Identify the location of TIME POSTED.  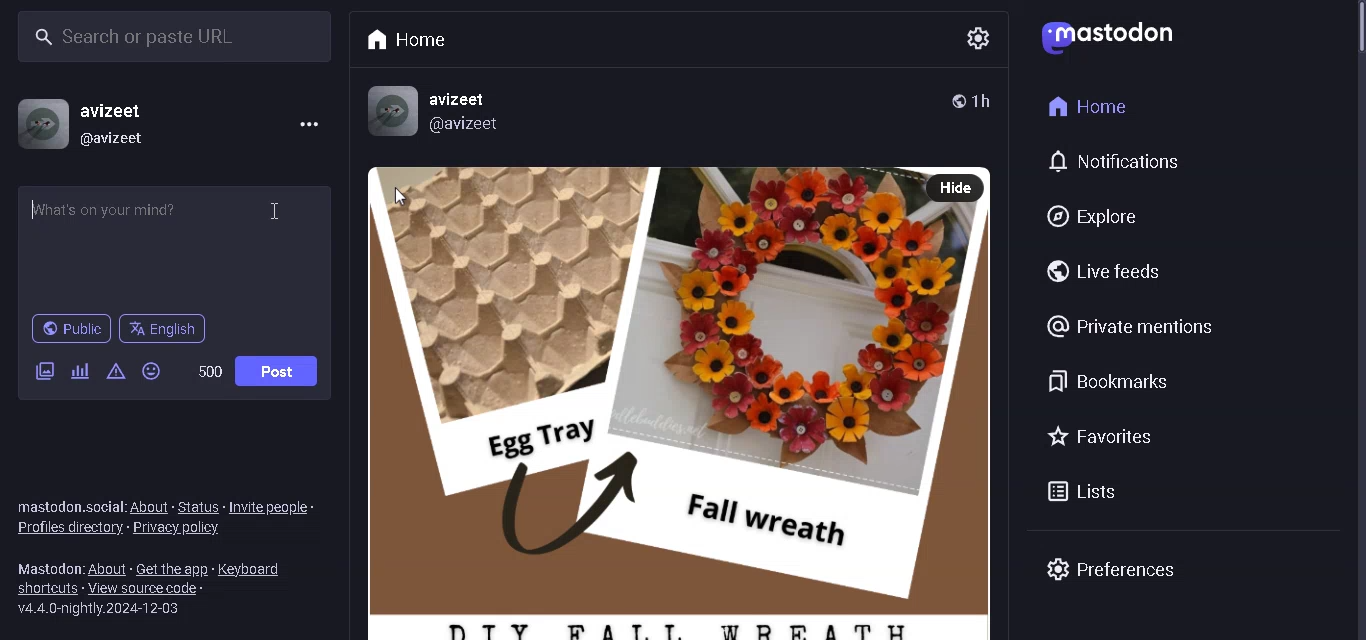
(988, 101).